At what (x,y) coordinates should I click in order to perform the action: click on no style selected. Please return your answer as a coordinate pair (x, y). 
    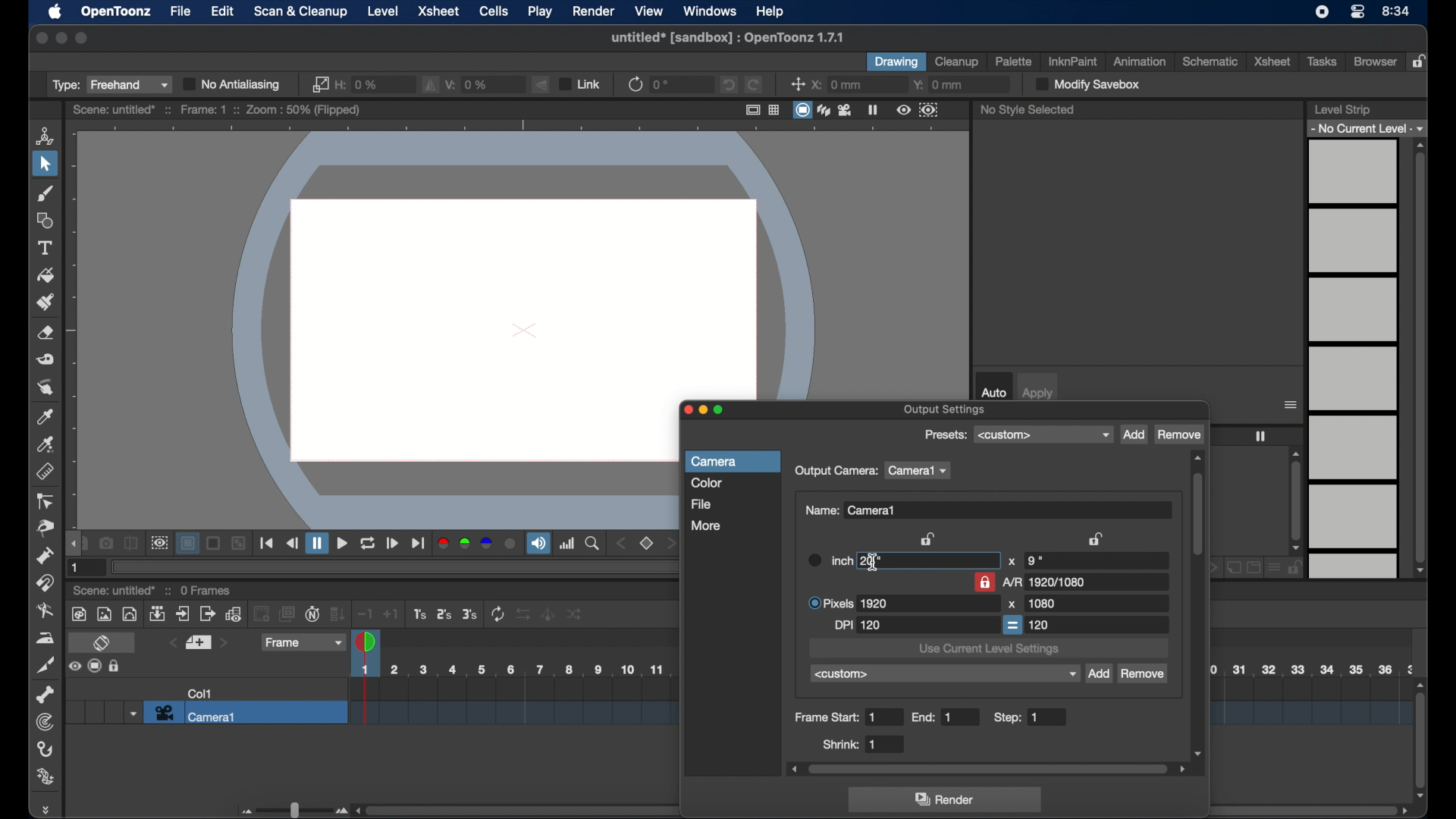
    Looking at the image, I should click on (1028, 109).